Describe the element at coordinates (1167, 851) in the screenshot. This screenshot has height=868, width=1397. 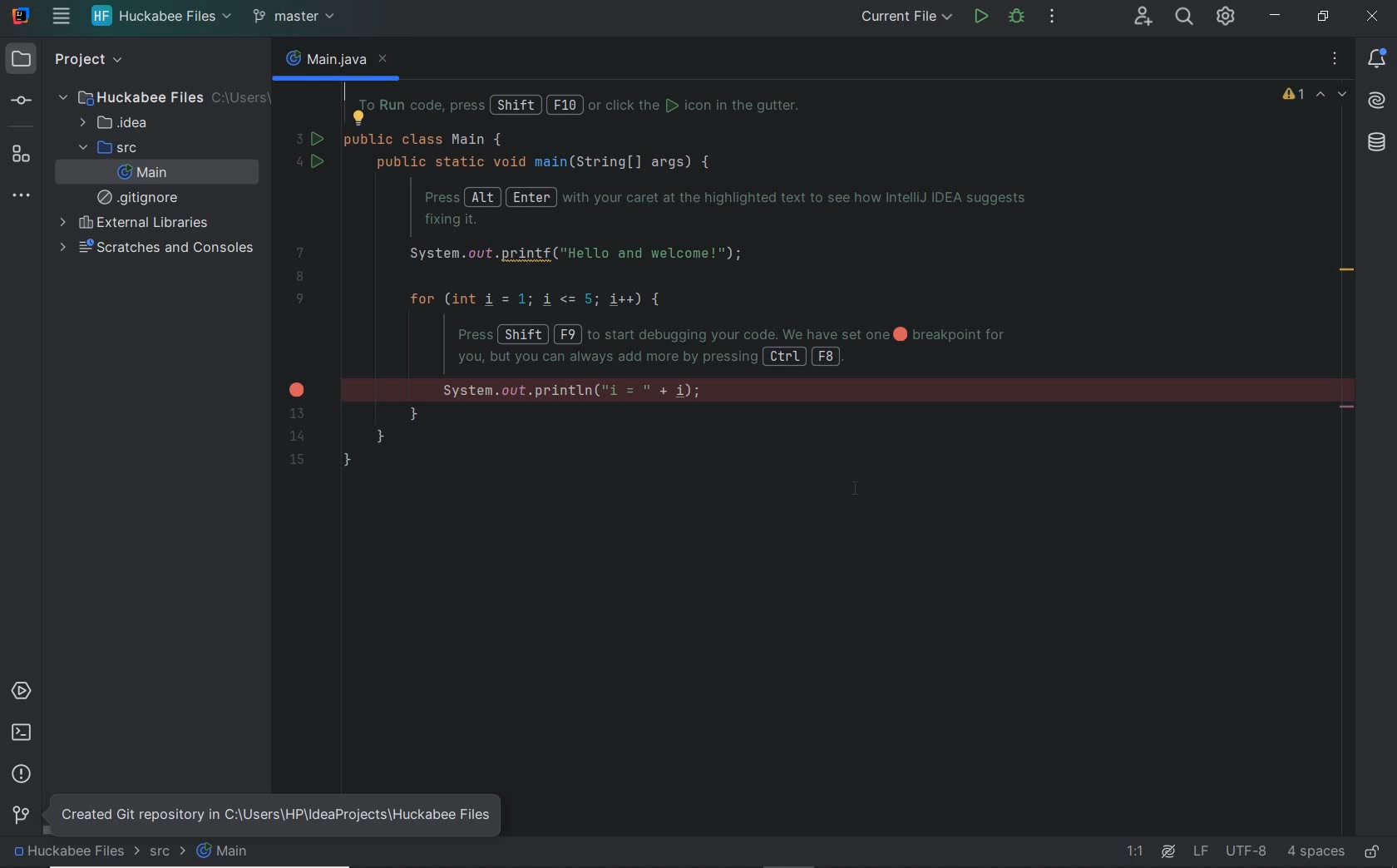
I see `ai assistant` at that location.